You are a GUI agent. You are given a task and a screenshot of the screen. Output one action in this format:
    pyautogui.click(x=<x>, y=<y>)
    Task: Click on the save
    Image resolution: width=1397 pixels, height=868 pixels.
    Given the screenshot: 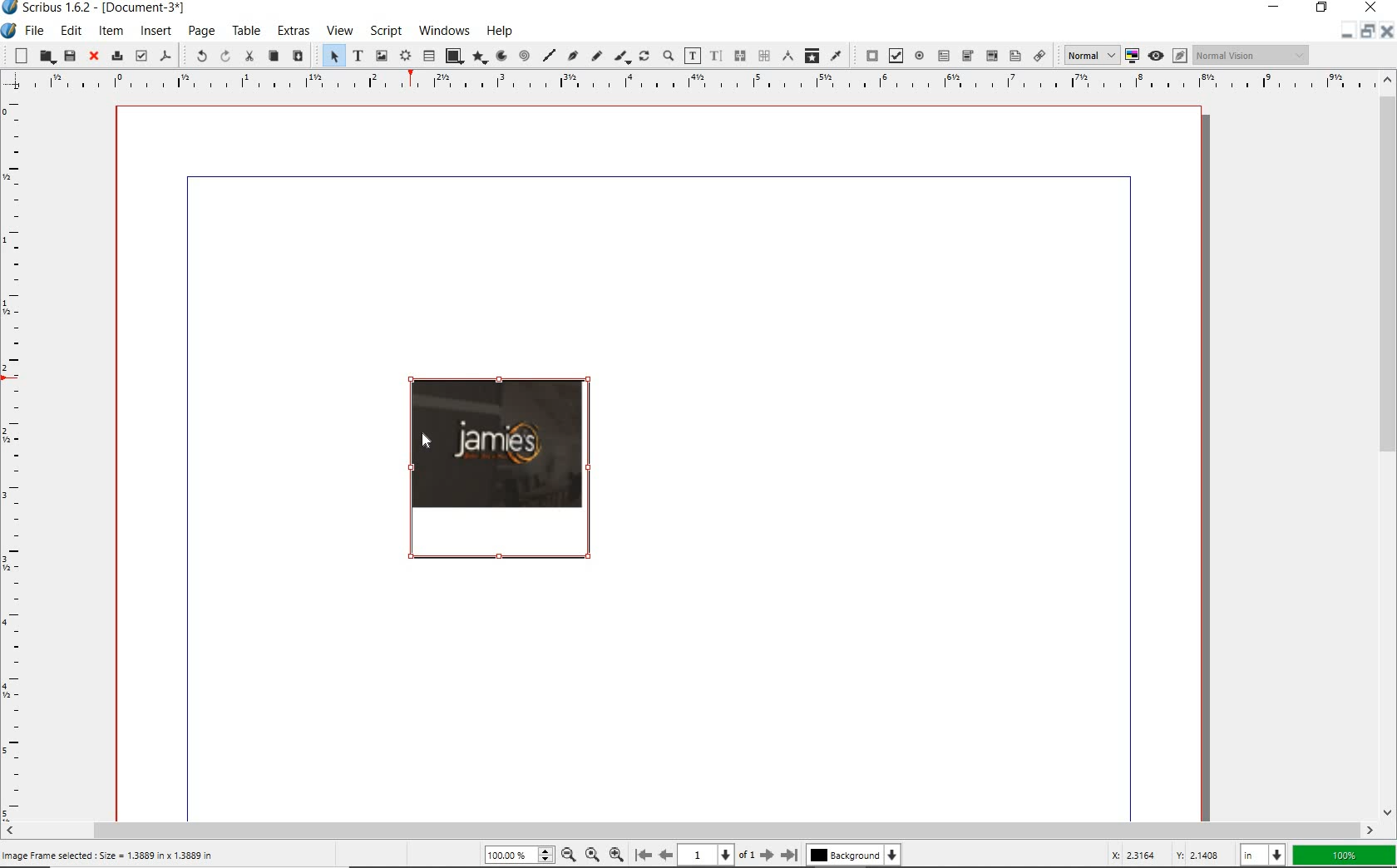 What is the action you would take?
    pyautogui.click(x=69, y=55)
    